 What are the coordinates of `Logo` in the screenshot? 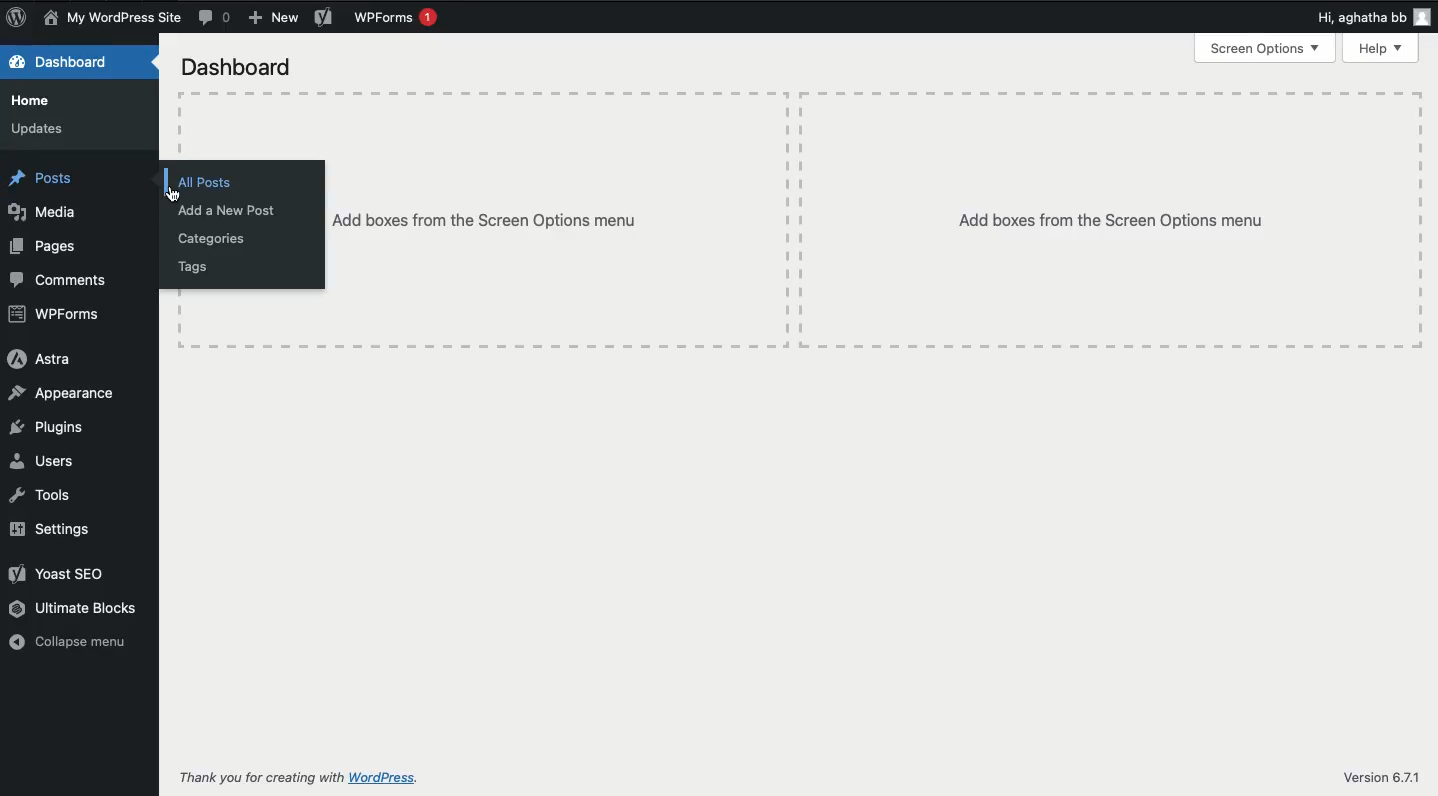 It's located at (18, 18).